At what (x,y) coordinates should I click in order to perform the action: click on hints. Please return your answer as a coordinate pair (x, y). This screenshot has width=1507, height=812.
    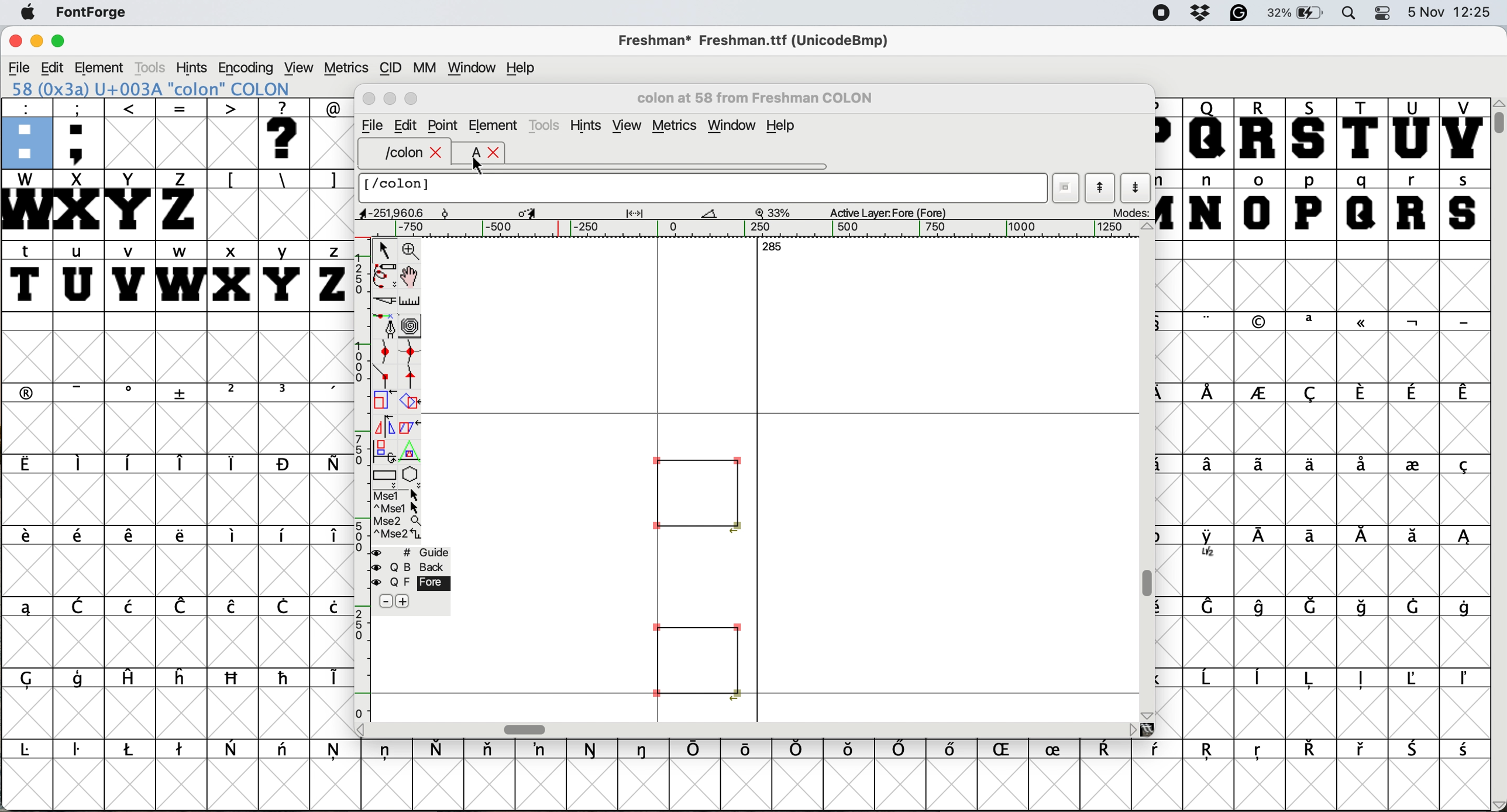
    Looking at the image, I should click on (194, 67).